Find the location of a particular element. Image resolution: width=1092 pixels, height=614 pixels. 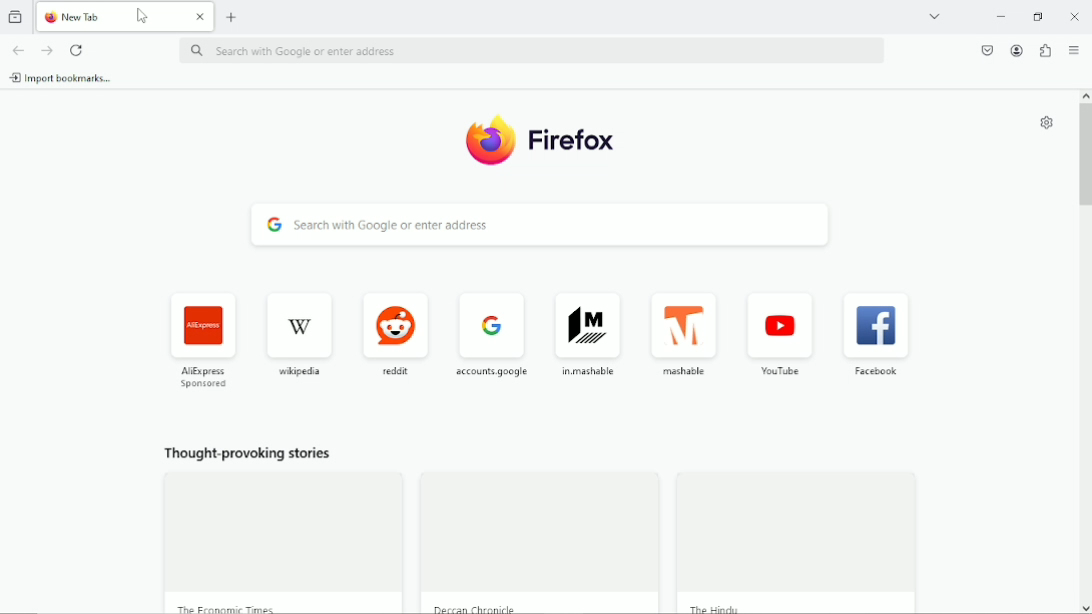

Save to pocket is located at coordinates (987, 53).